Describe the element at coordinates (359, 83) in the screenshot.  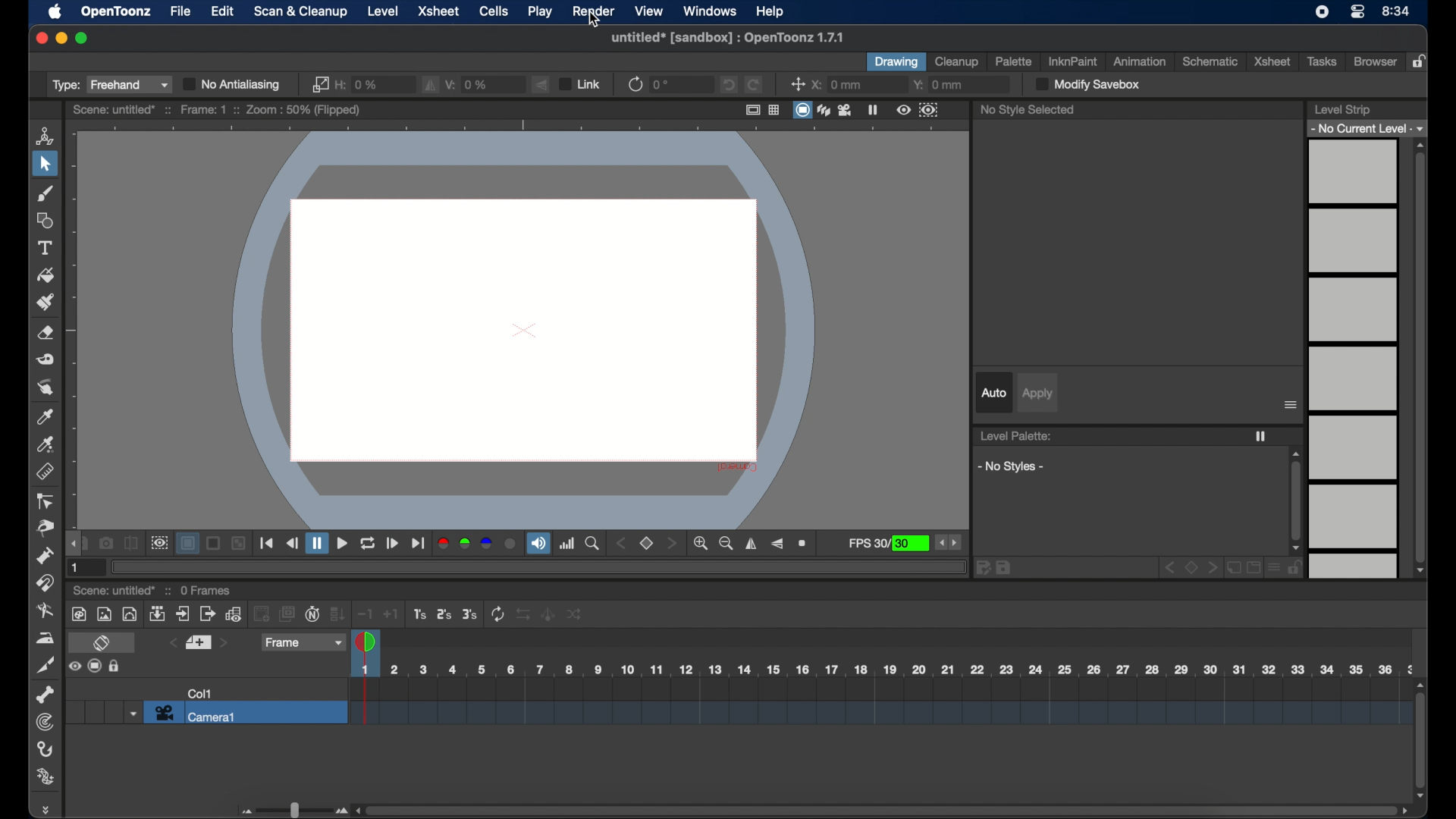
I see `h` at that location.